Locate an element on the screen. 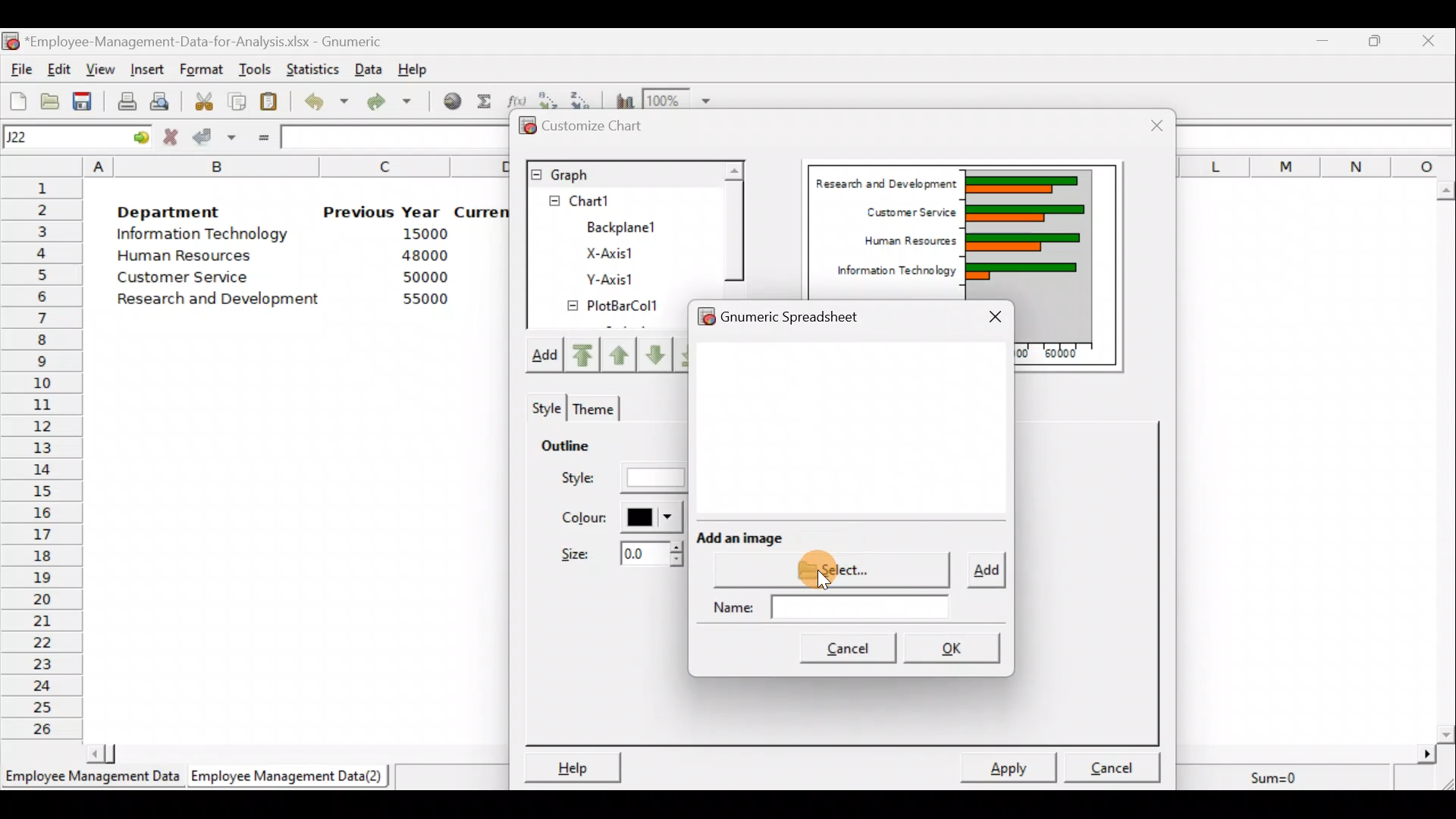  Research and development is located at coordinates (219, 297).